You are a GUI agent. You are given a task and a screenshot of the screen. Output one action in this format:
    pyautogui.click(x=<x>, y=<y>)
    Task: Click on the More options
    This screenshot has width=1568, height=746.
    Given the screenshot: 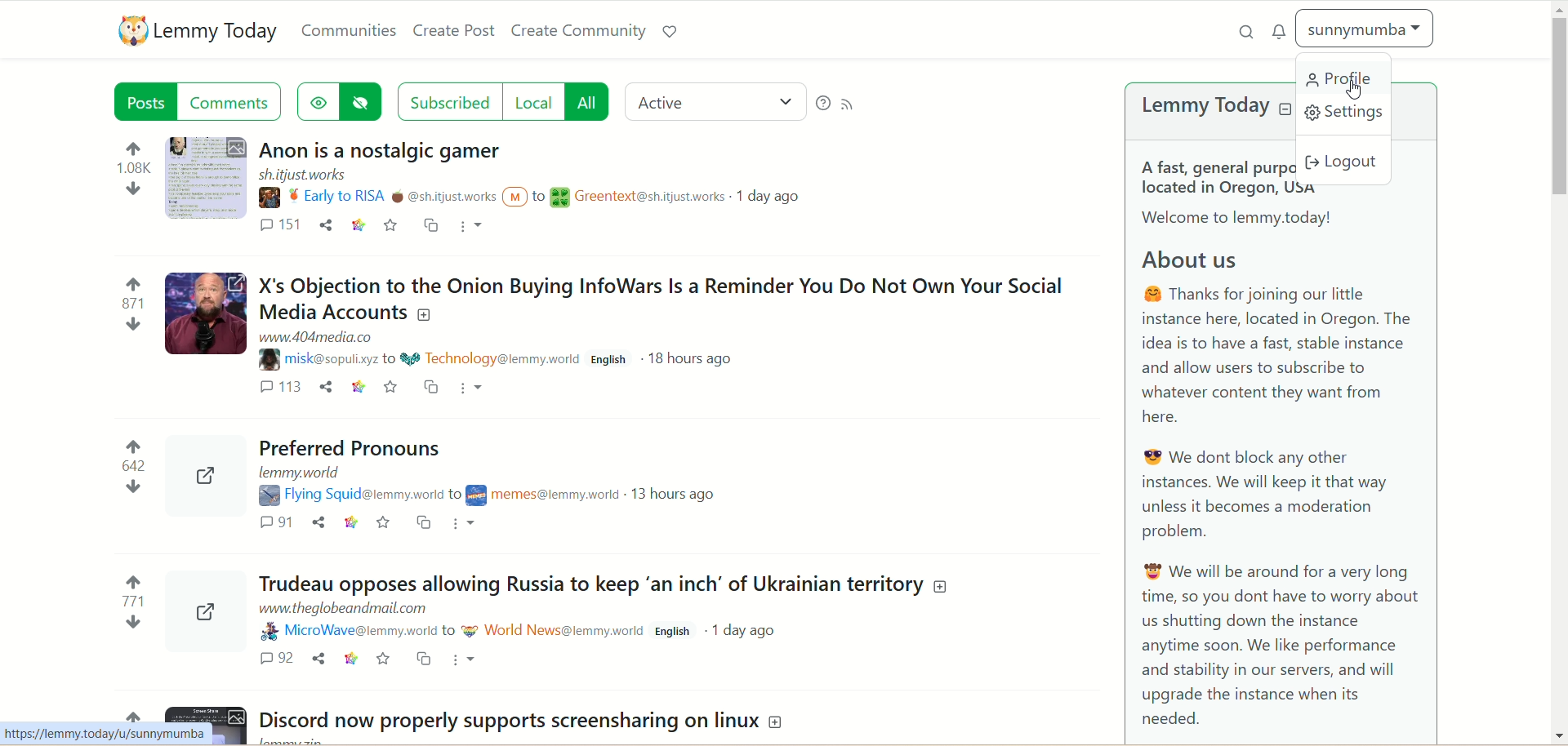 What is the action you would take?
    pyautogui.click(x=477, y=388)
    